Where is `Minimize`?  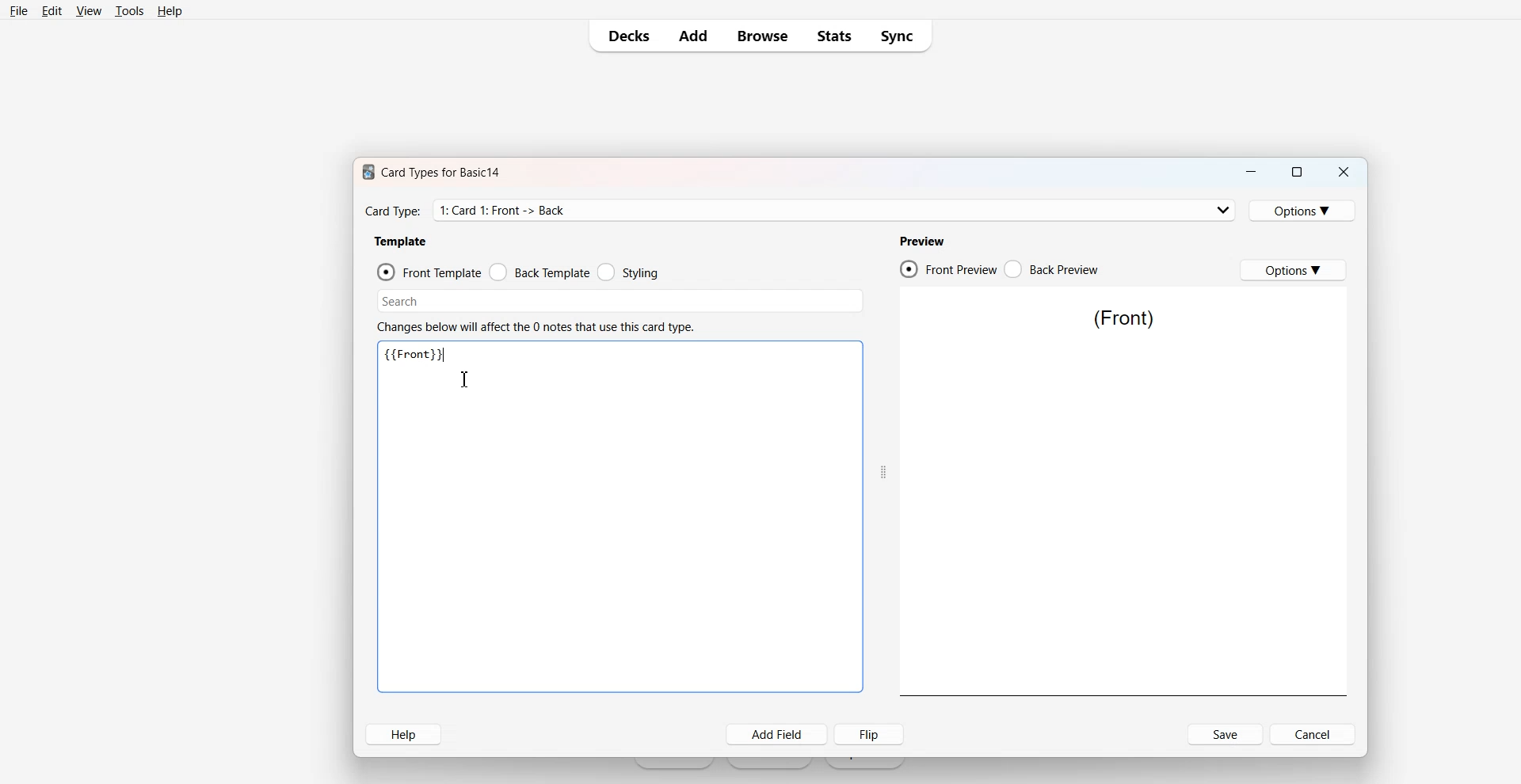 Minimize is located at coordinates (1252, 172).